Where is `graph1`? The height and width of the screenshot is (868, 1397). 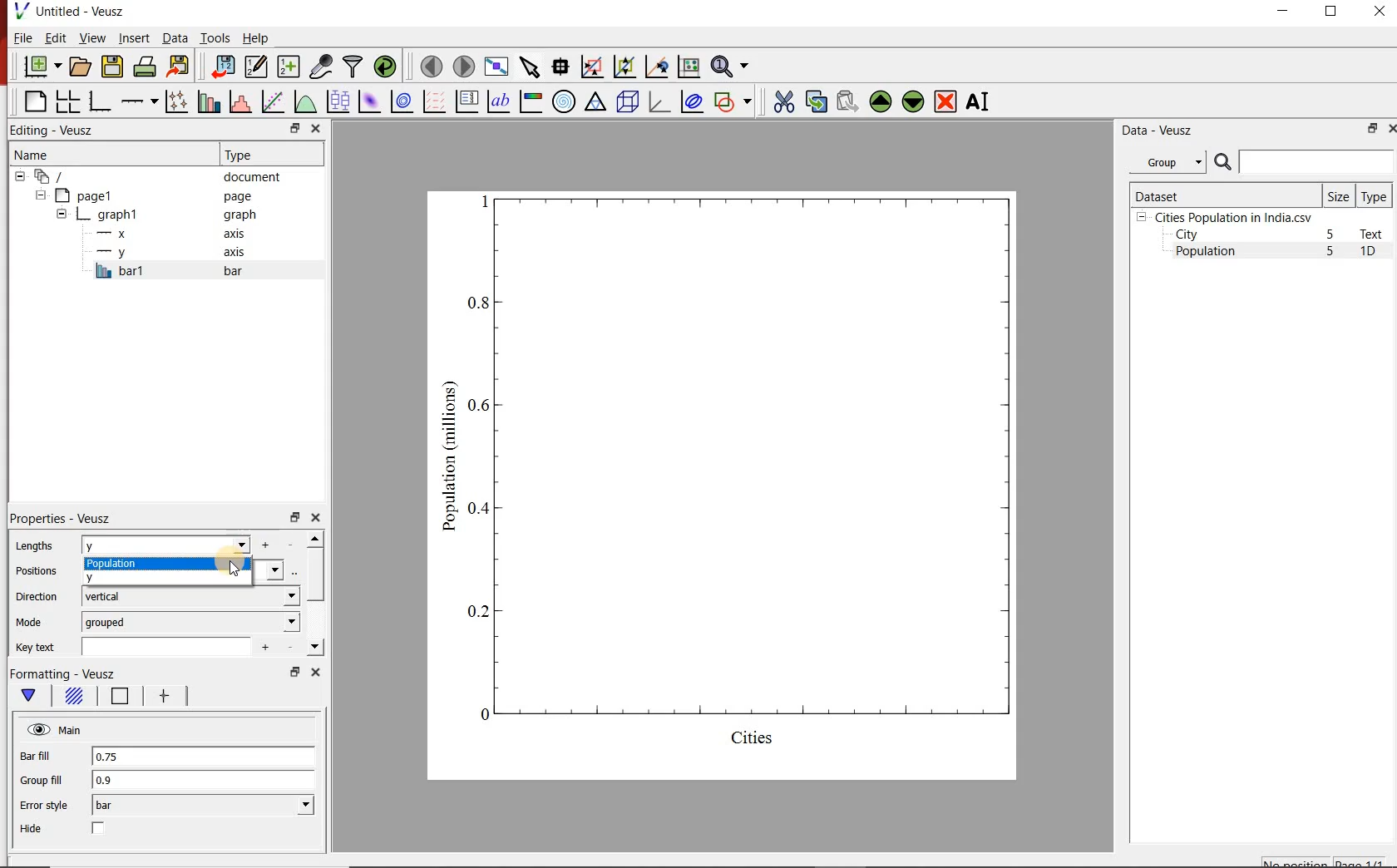
graph1 is located at coordinates (743, 481).